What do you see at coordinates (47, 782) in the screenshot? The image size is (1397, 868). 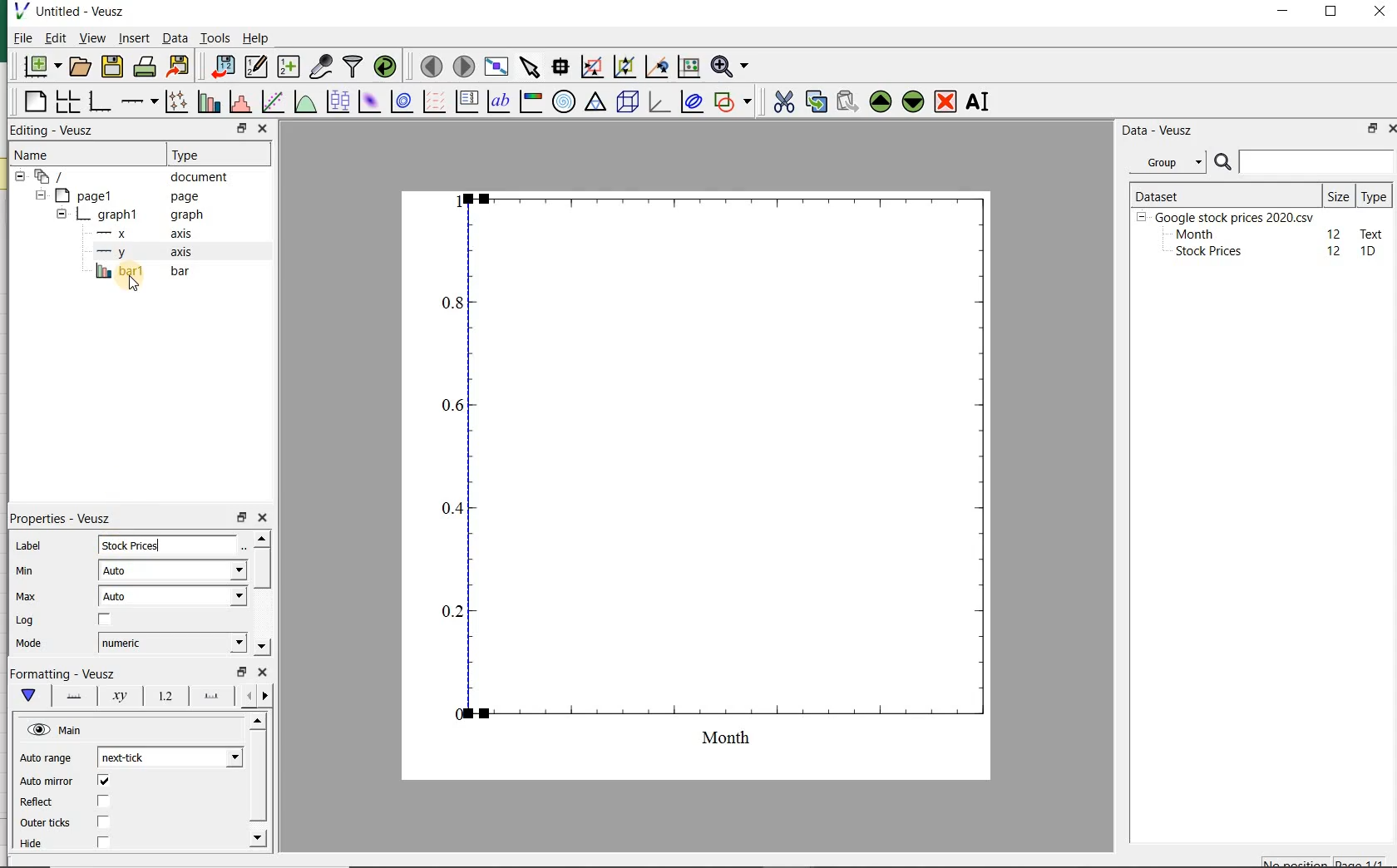 I see `Auto minor` at bounding box center [47, 782].